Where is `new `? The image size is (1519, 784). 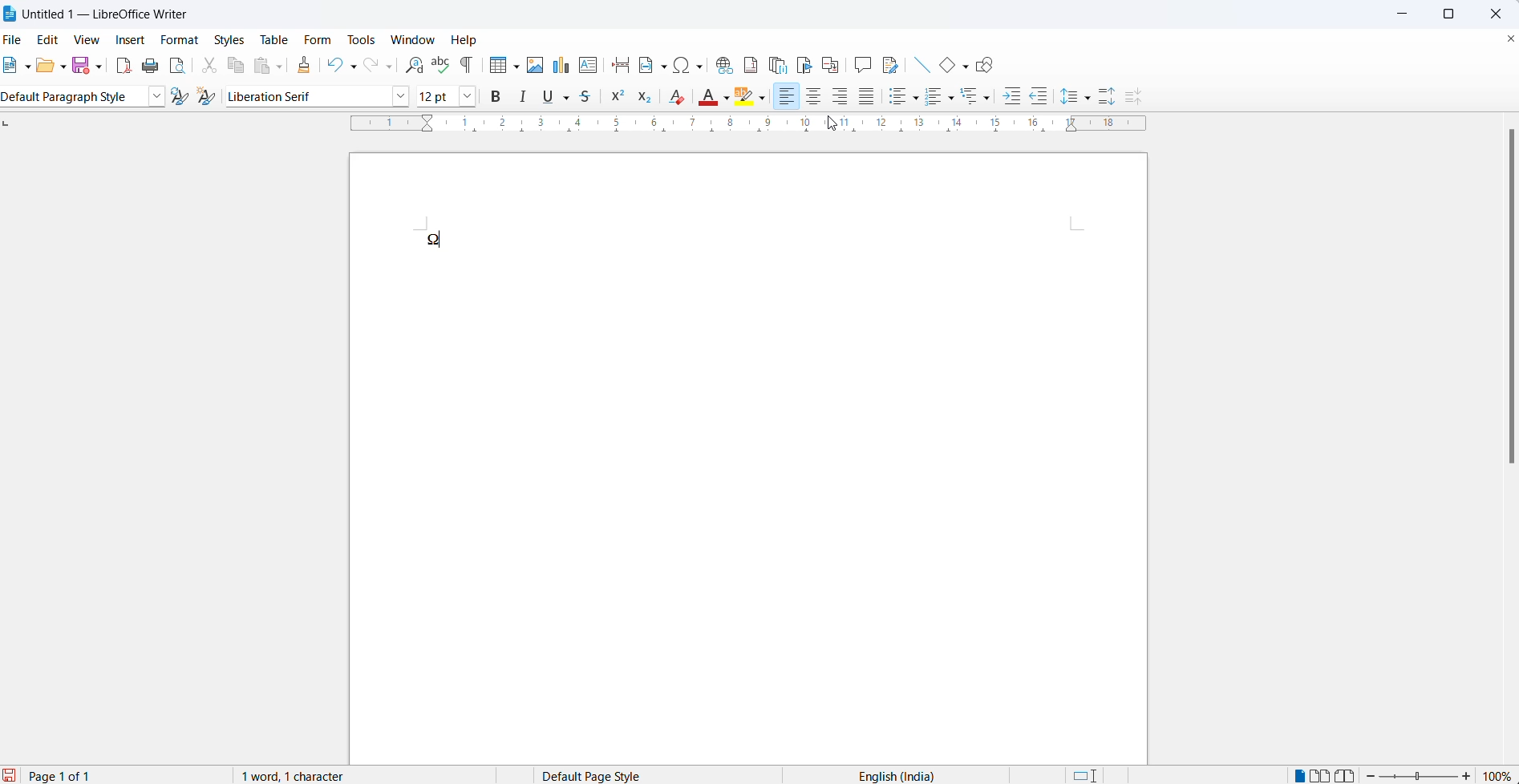
new  is located at coordinates (12, 66).